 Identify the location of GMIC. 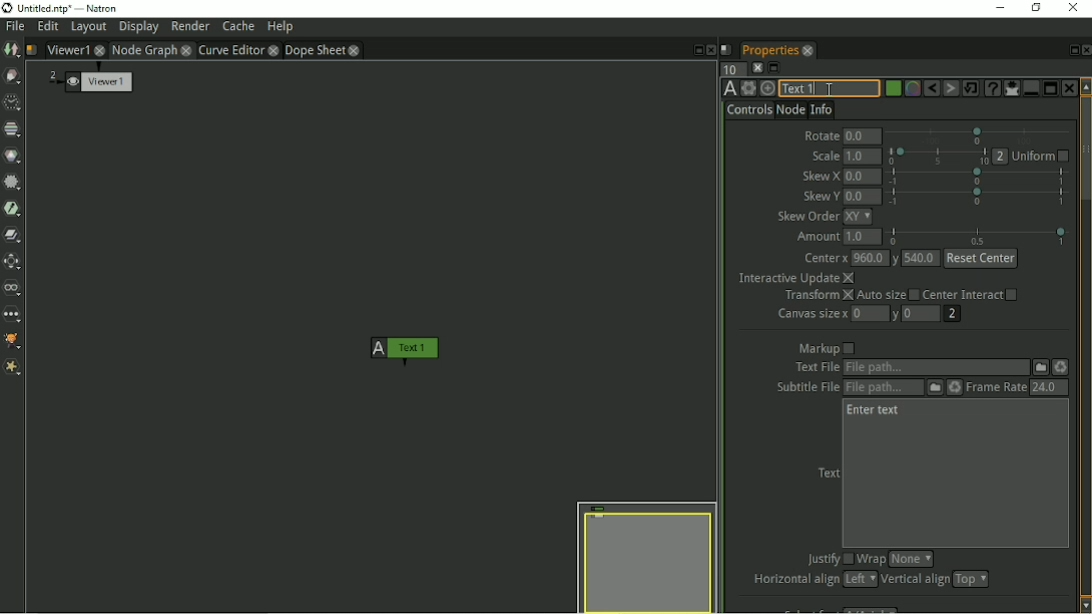
(14, 340).